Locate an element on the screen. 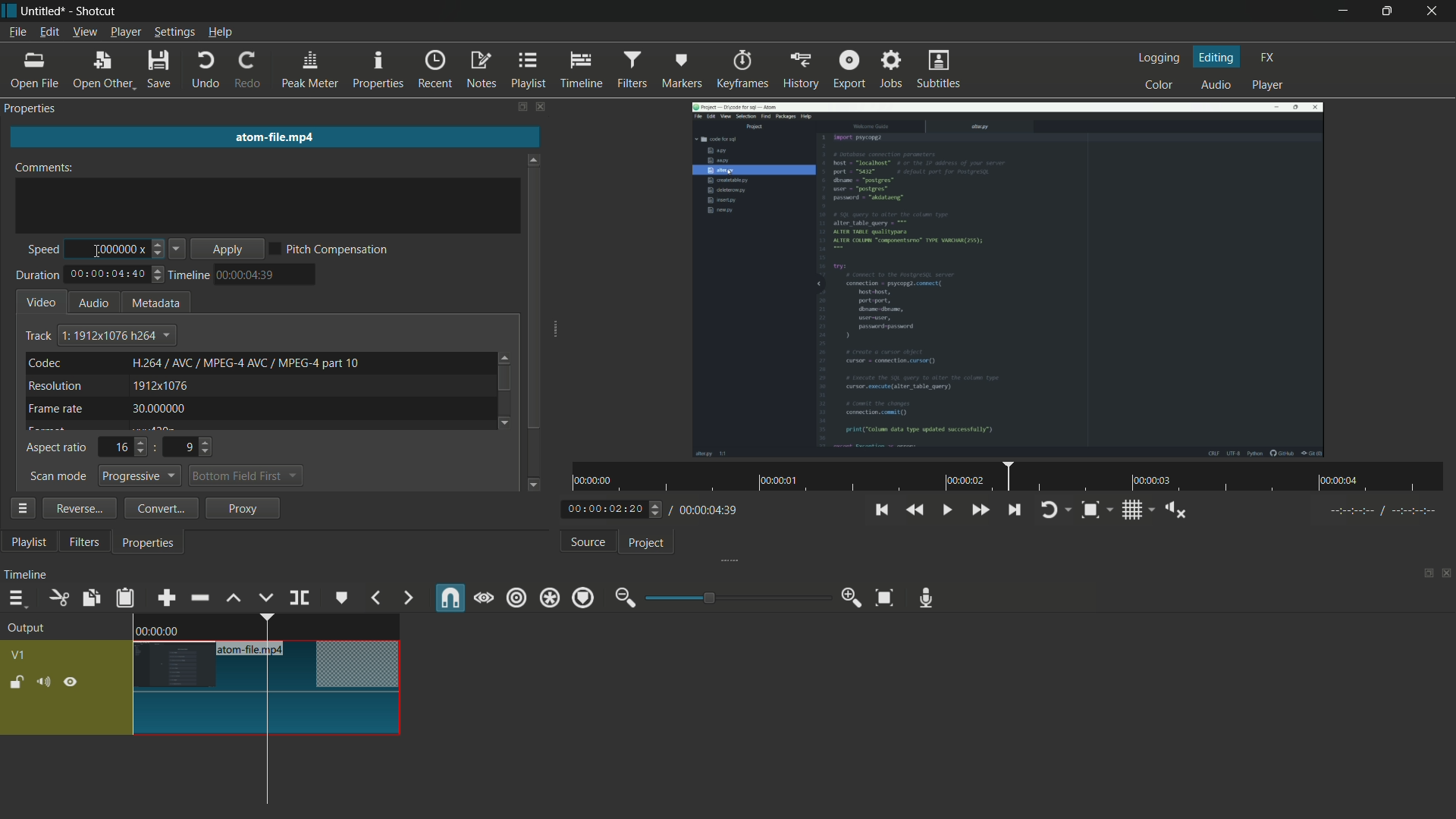  playlist is located at coordinates (527, 71).